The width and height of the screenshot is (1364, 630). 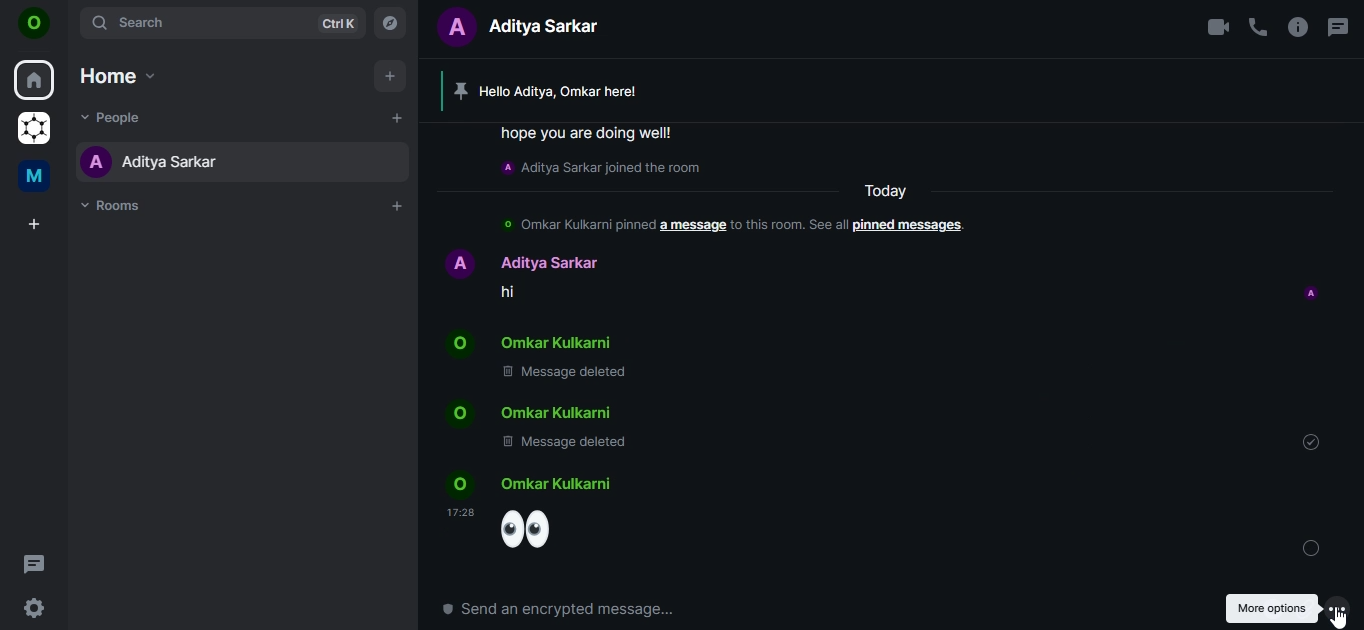 What do you see at coordinates (148, 161) in the screenshot?
I see `aditya sarkar` at bounding box center [148, 161].